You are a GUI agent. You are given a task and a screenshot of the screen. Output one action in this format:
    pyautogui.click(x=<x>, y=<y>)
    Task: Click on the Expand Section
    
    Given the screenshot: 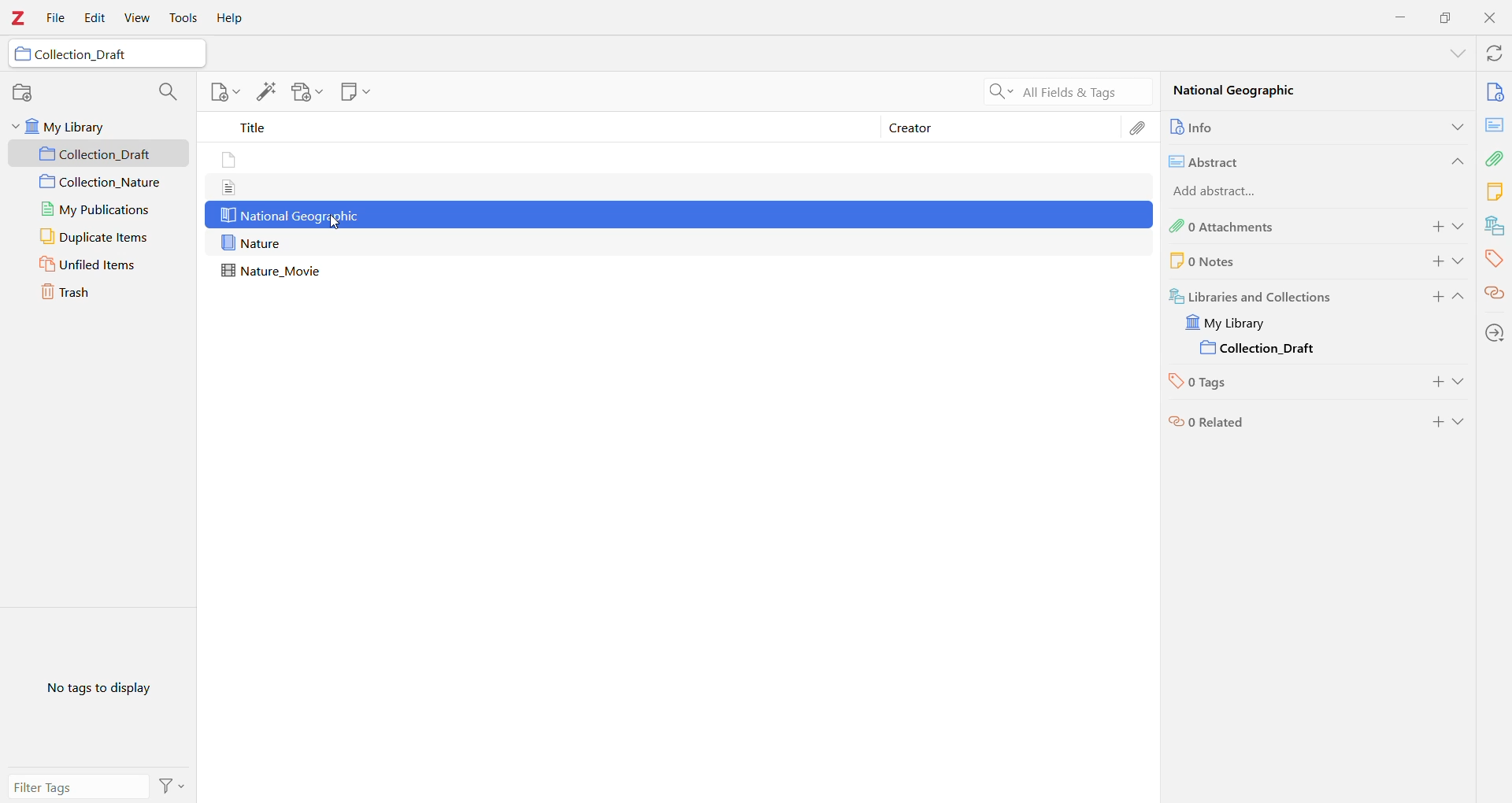 What is the action you would take?
    pyautogui.click(x=1455, y=126)
    